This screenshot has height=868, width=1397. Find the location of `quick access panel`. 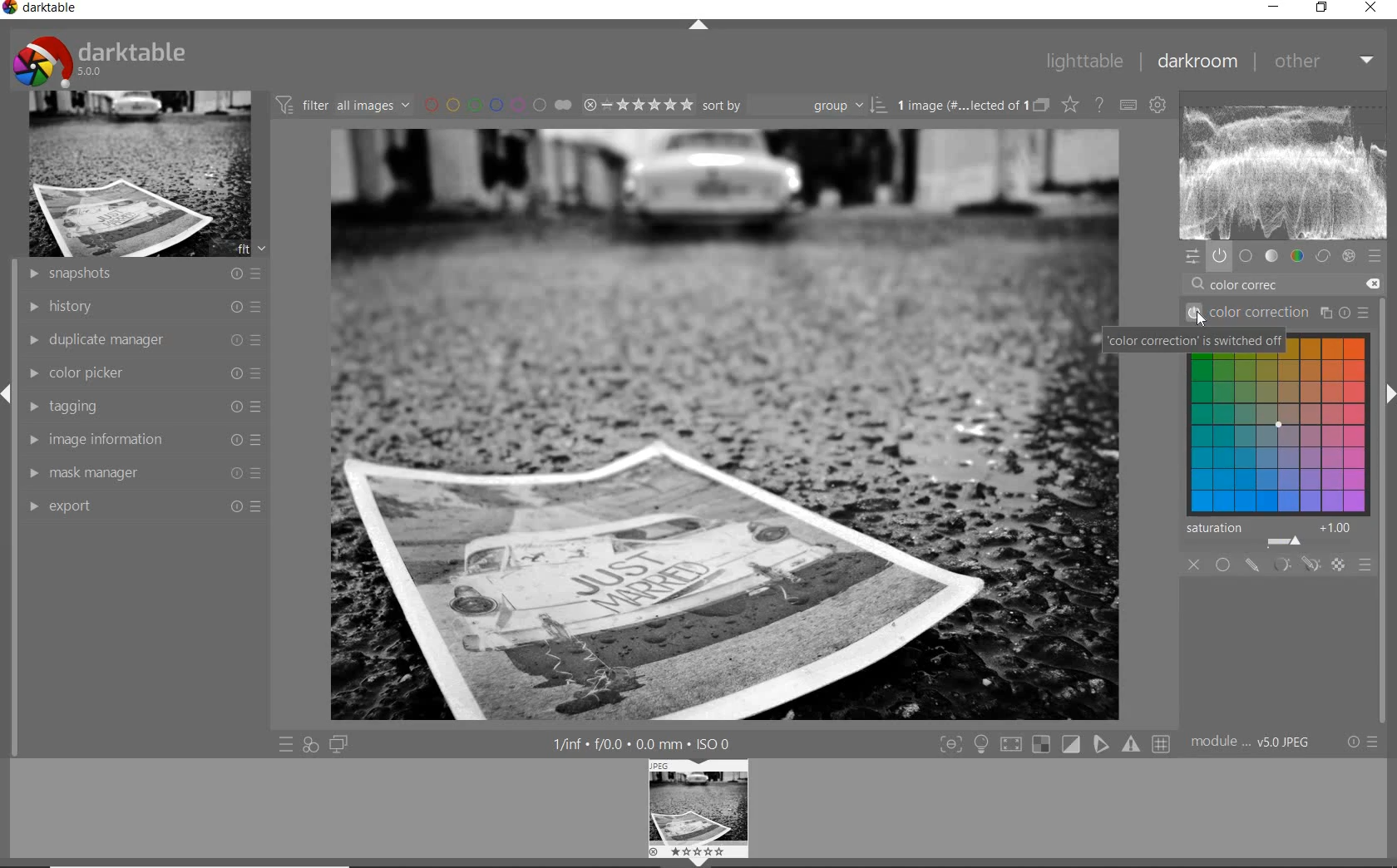

quick access panel is located at coordinates (1192, 257).